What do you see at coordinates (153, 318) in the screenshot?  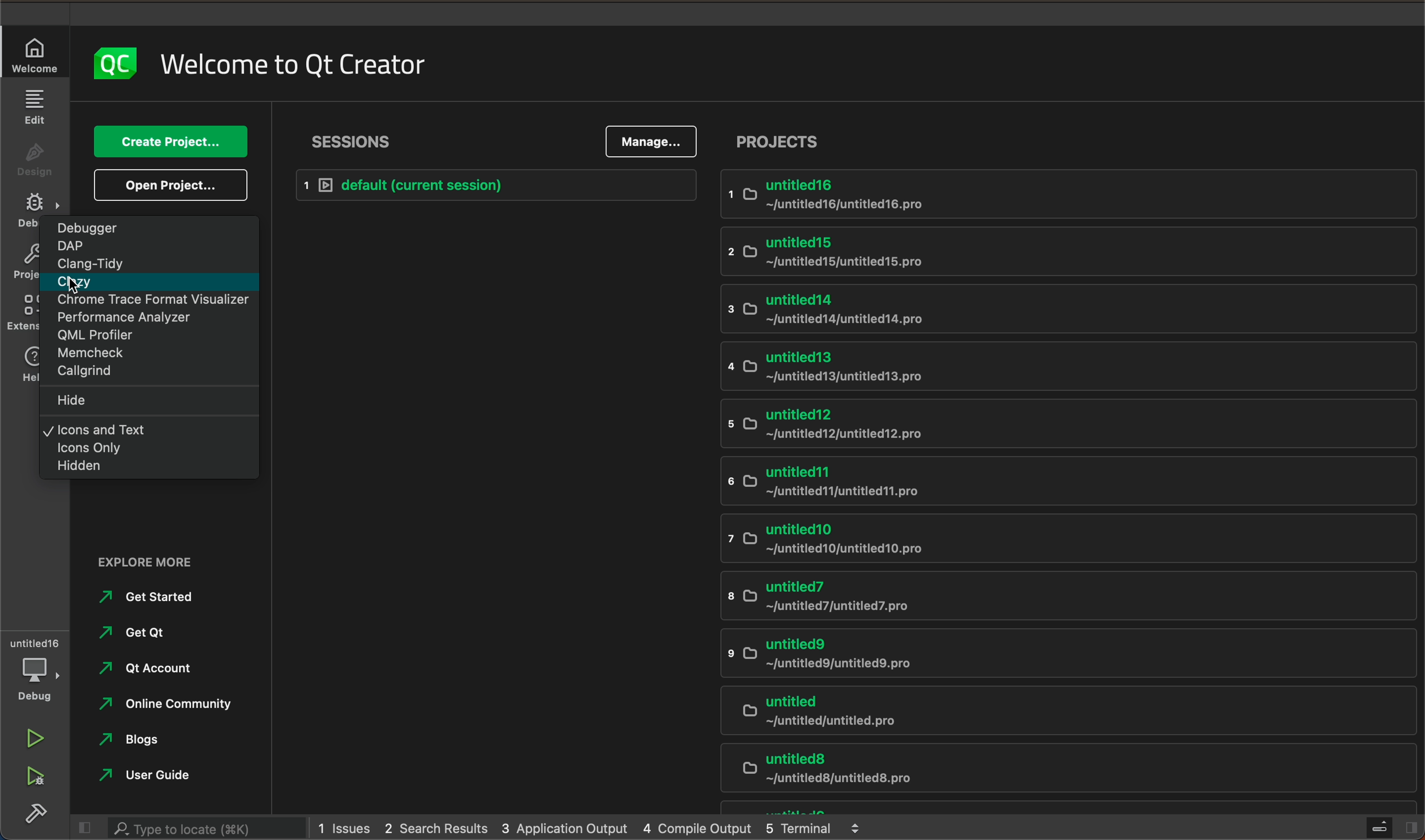 I see `performance` at bounding box center [153, 318].